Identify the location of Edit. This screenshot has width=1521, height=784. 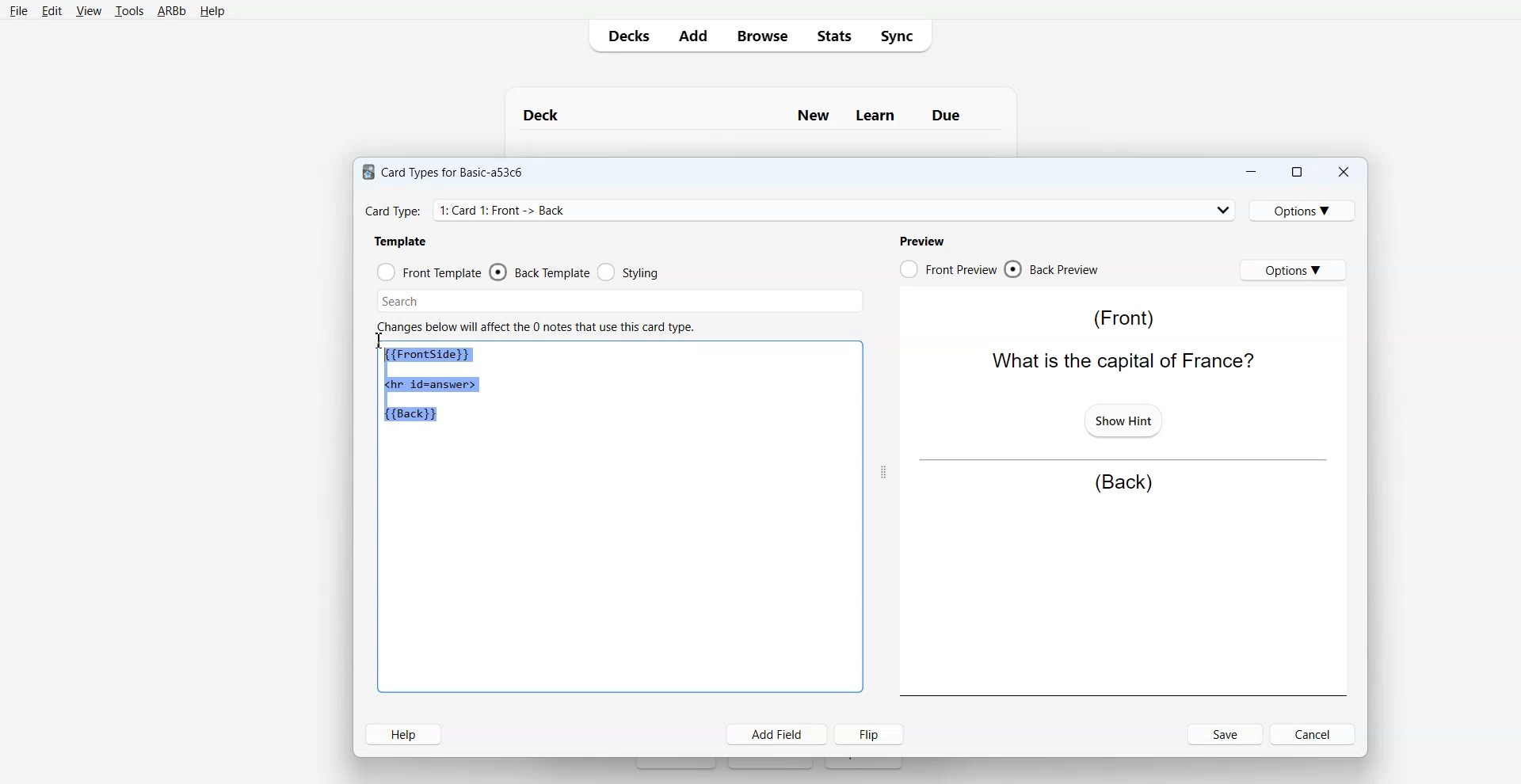
(52, 11).